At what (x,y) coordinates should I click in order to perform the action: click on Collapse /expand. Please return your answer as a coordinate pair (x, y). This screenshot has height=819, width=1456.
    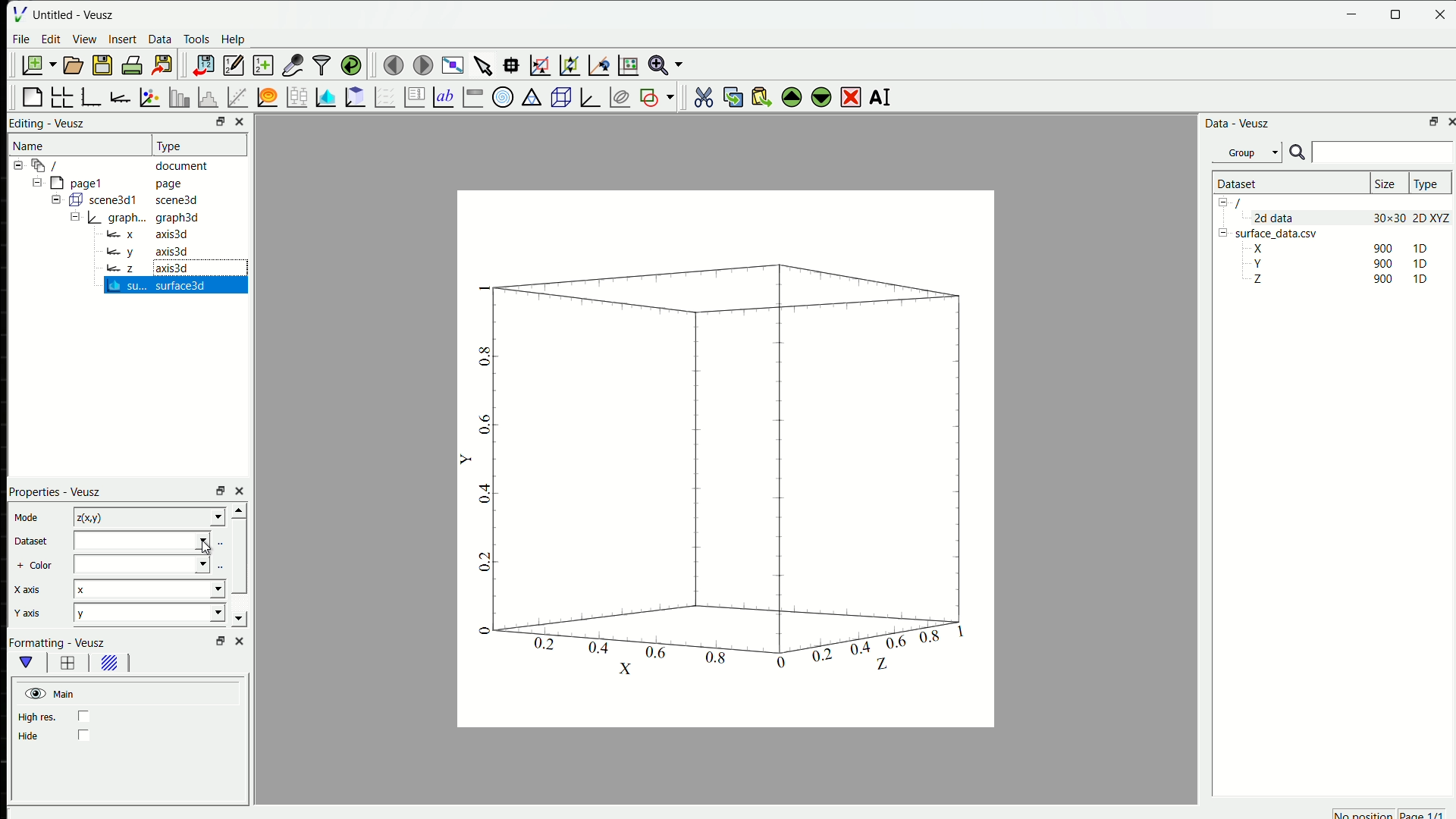
    Looking at the image, I should click on (1222, 203).